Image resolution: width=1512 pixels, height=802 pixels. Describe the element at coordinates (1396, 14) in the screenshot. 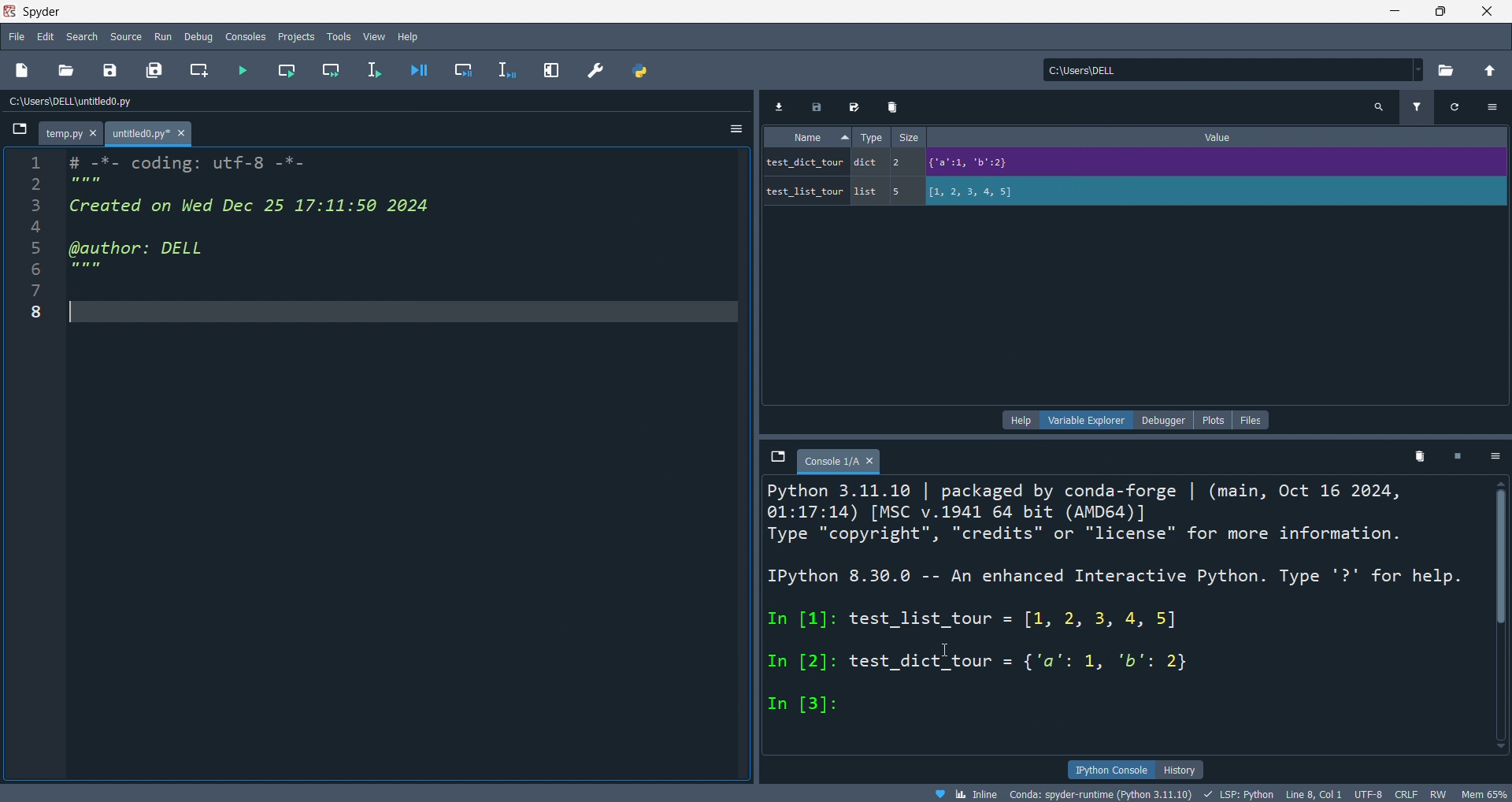

I see `minimize` at that location.